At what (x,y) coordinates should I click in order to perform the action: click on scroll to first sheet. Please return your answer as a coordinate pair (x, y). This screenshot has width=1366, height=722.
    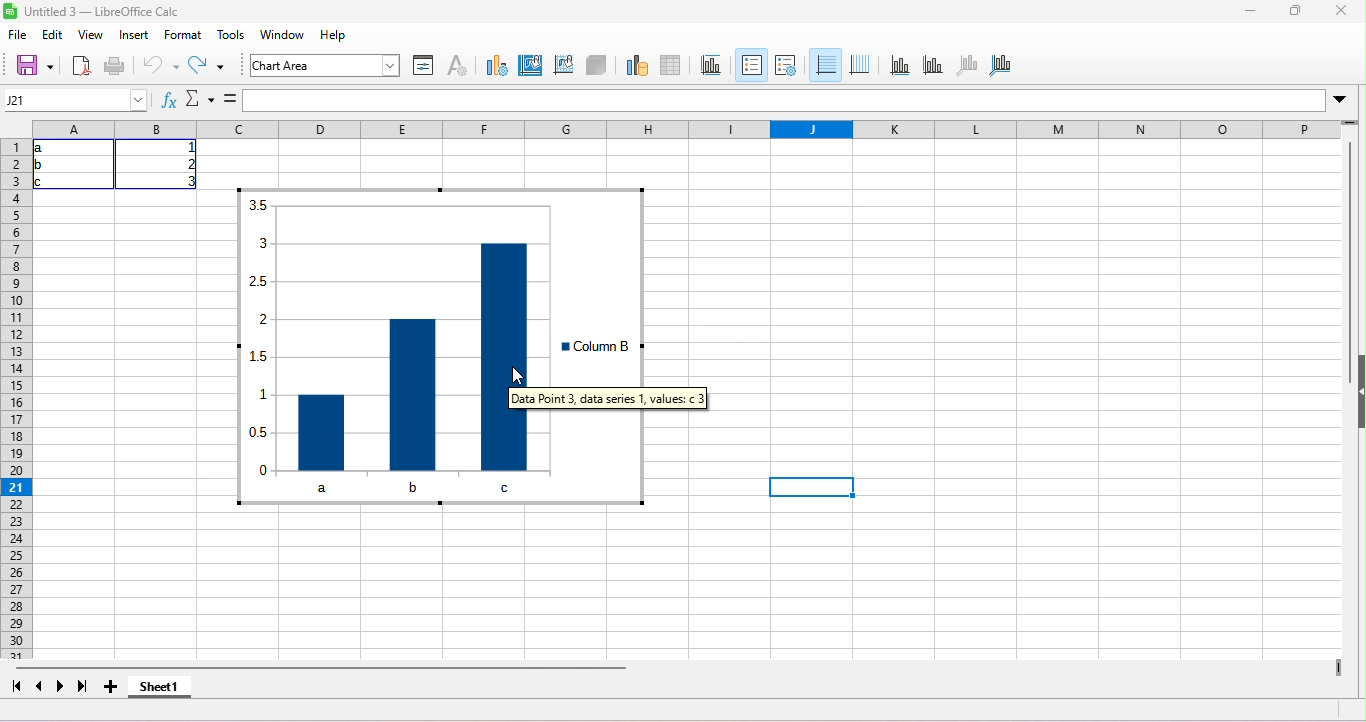
    Looking at the image, I should click on (12, 686).